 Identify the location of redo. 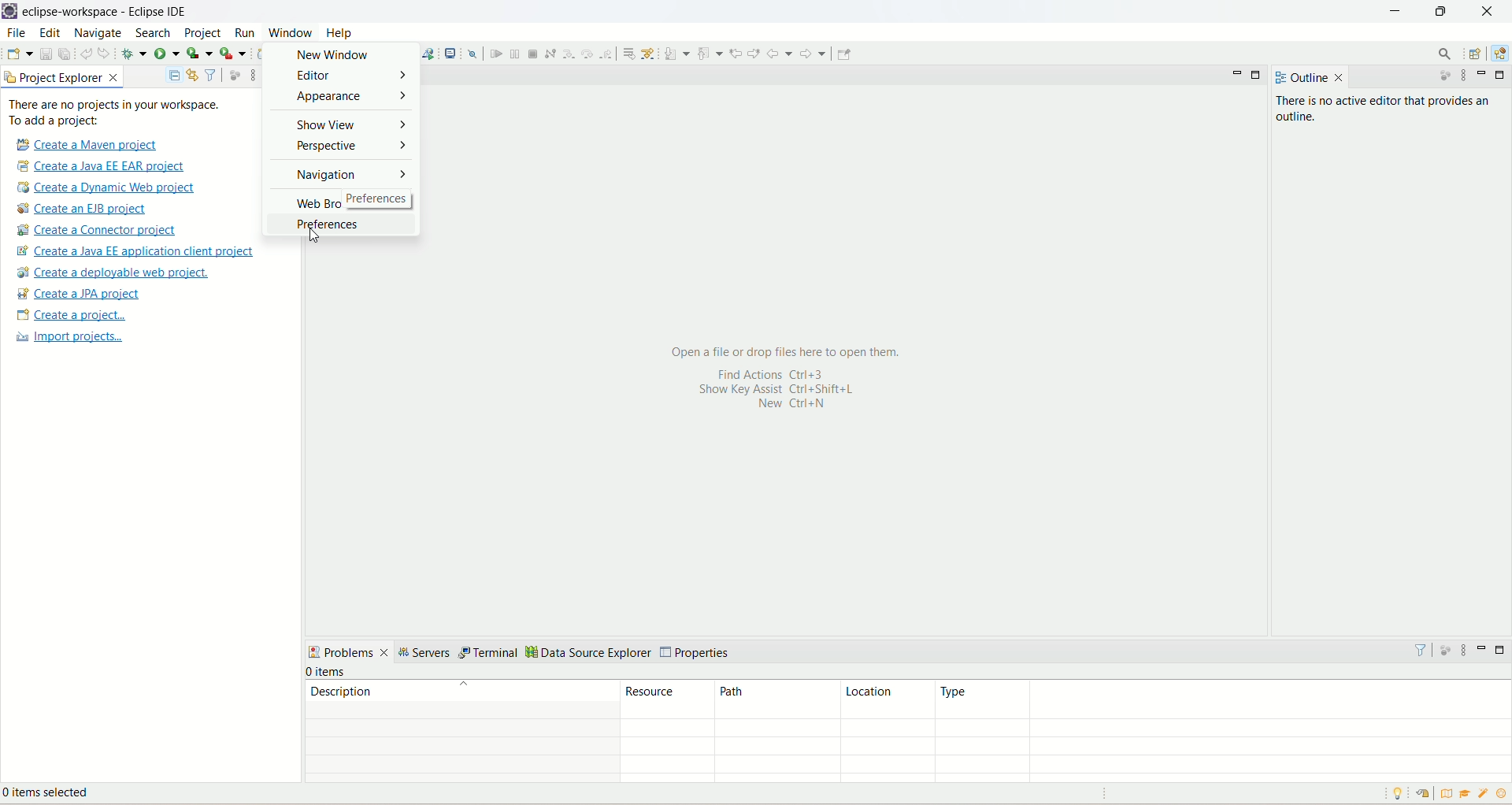
(106, 53).